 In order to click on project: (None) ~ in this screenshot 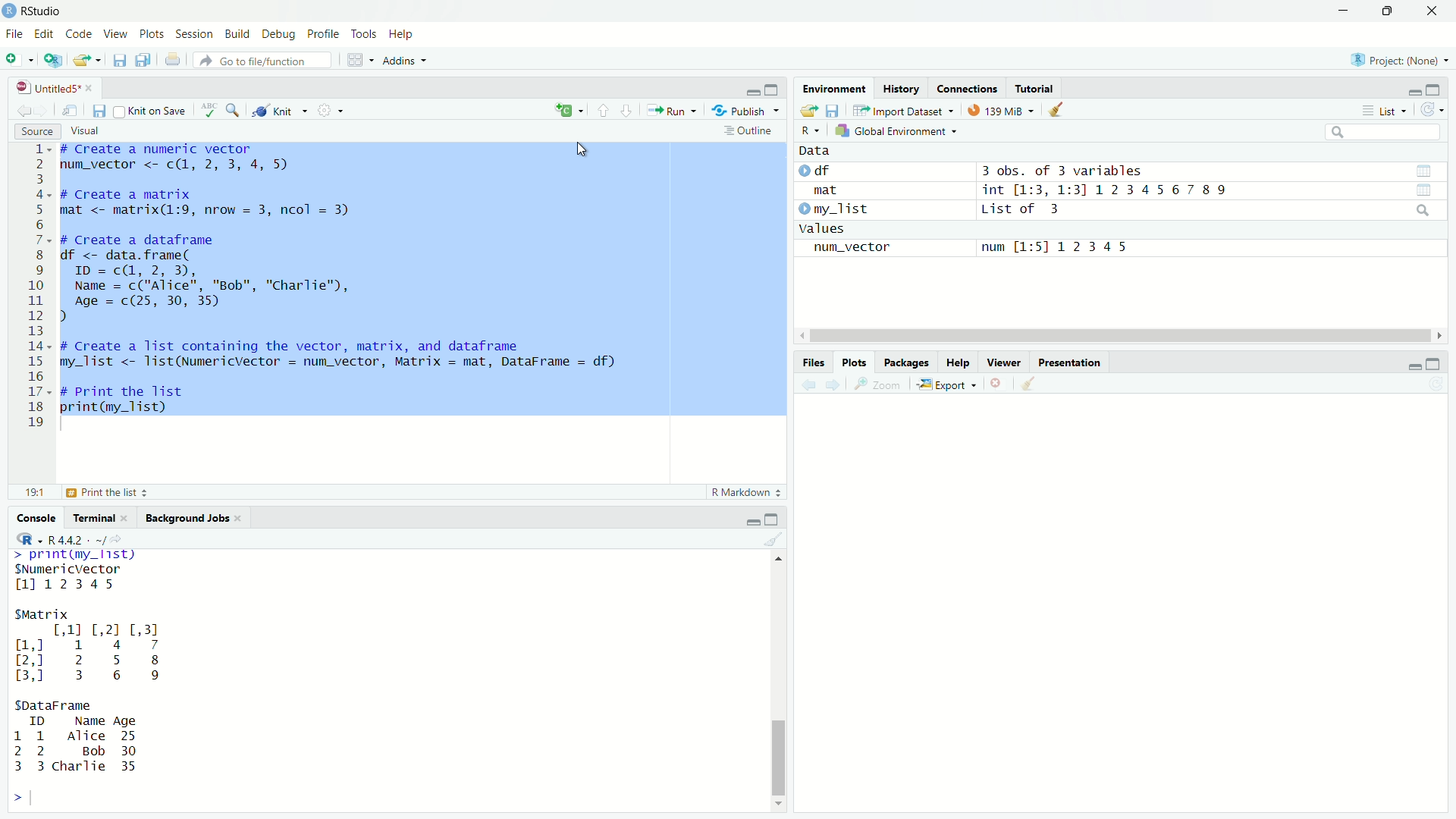, I will do `click(1398, 60)`.